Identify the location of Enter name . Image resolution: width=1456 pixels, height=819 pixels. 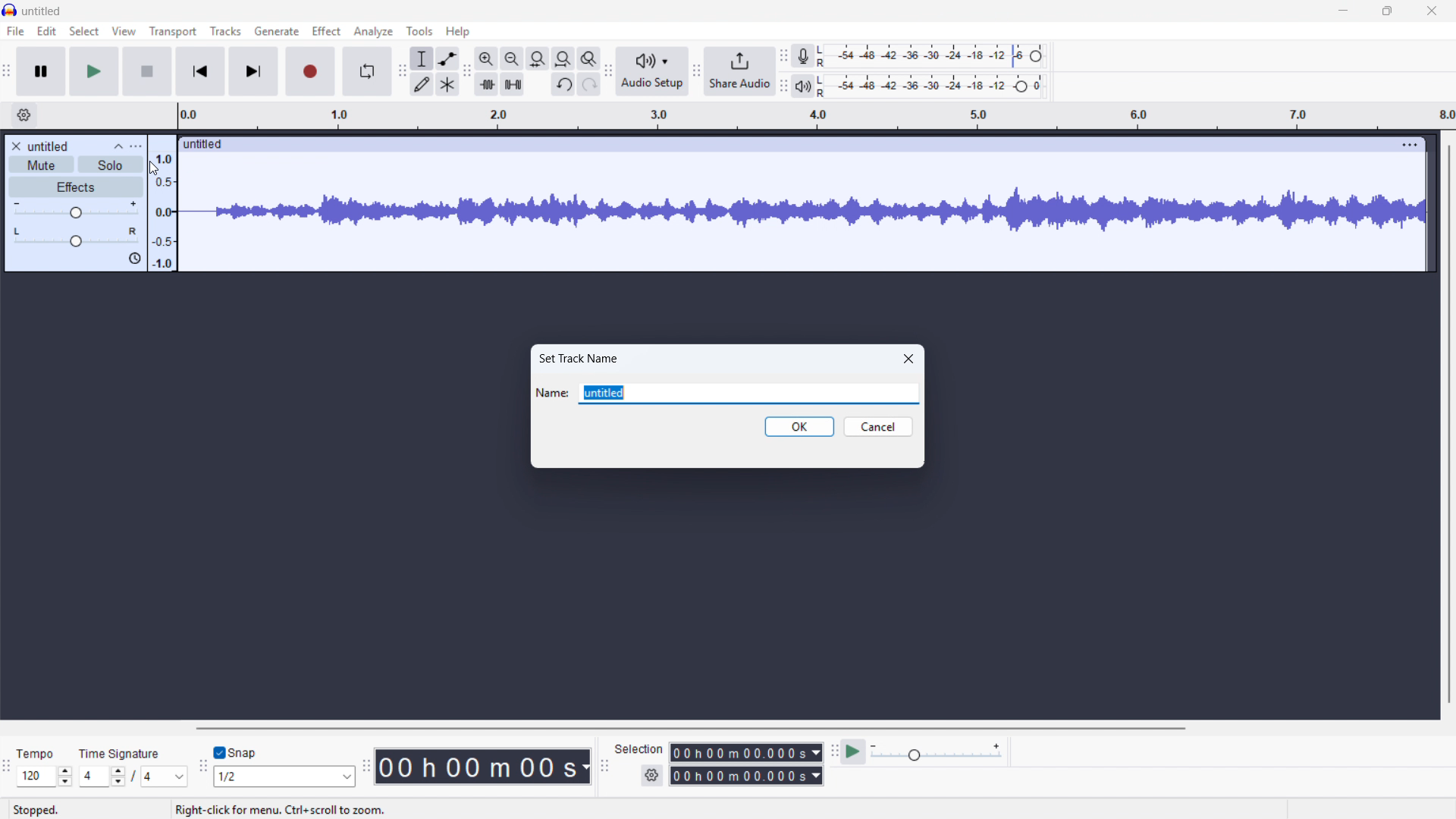
(748, 394).